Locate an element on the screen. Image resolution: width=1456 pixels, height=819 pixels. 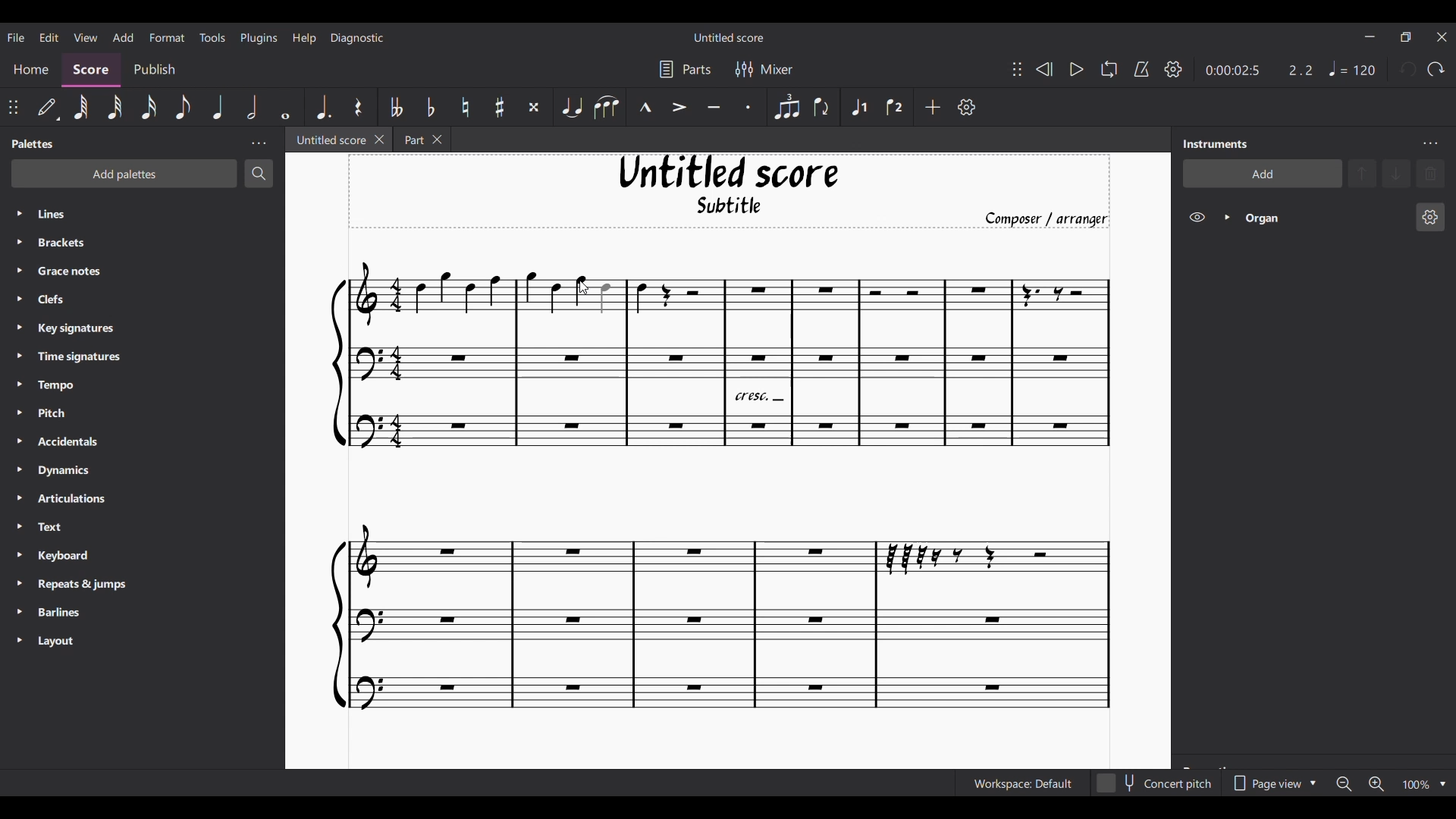
Publish section is located at coordinates (154, 71).